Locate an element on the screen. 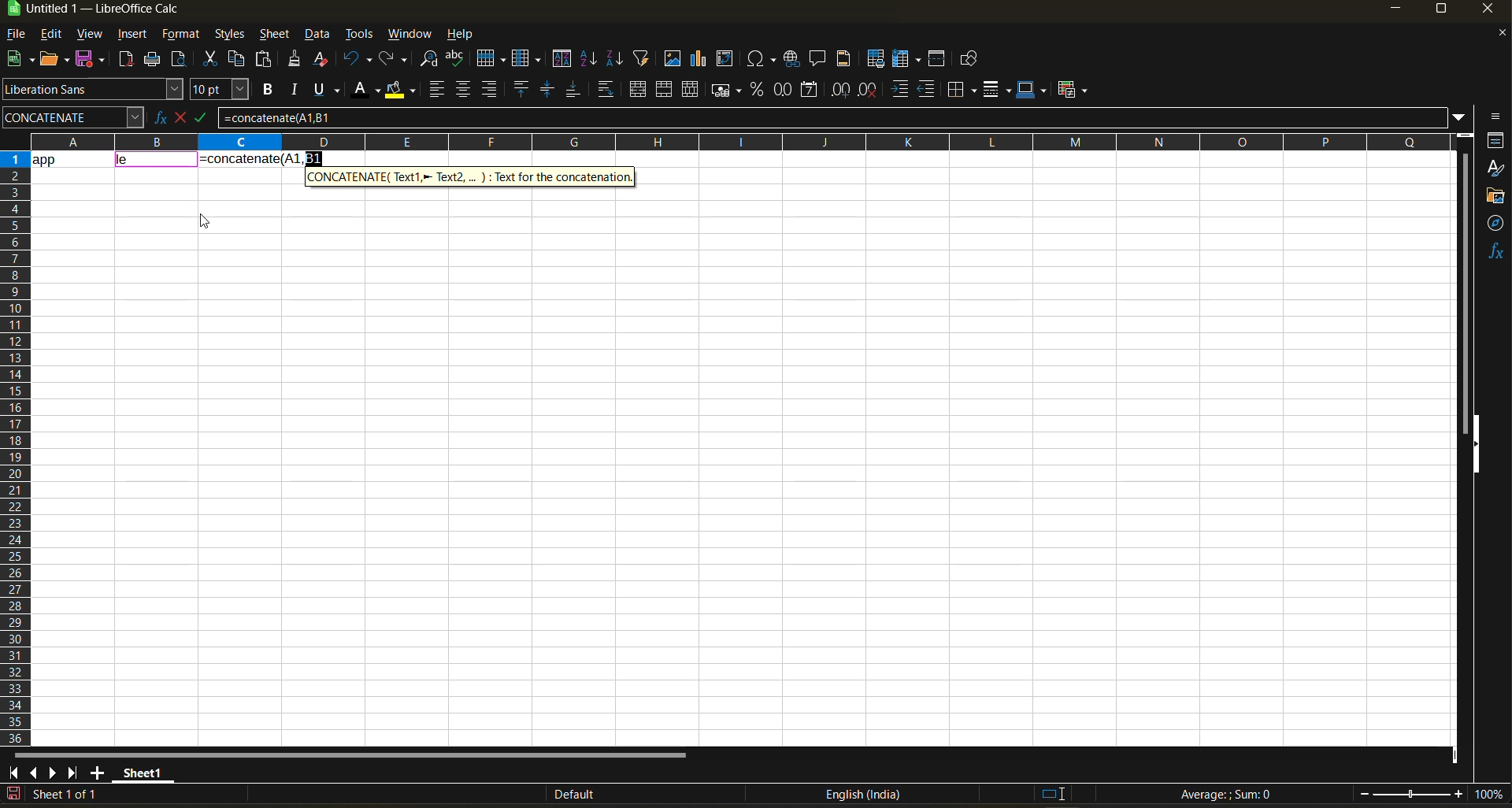 Image resolution: width=1512 pixels, height=808 pixels. italic is located at coordinates (295, 90).